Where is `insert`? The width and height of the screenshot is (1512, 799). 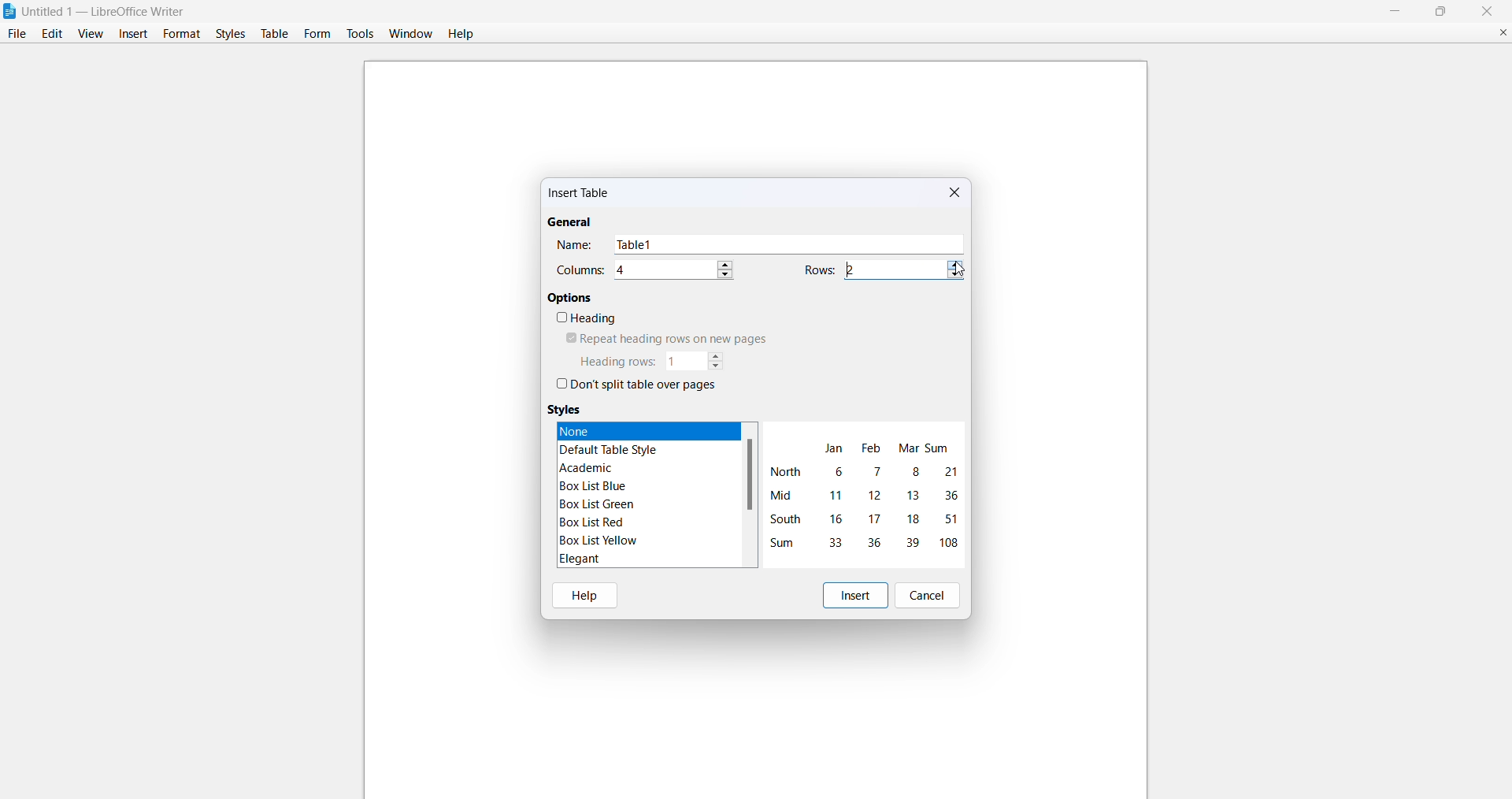 insert is located at coordinates (134, 33).